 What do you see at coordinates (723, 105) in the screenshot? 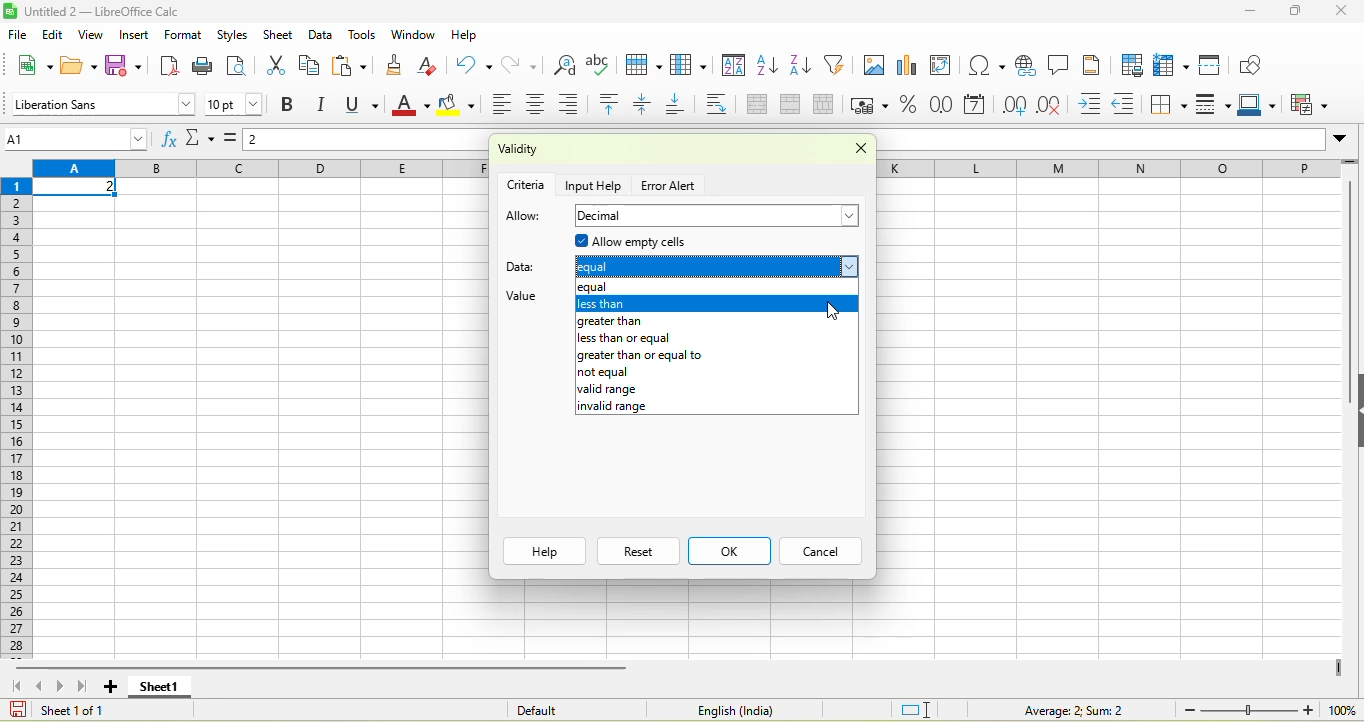
I see `wrap` at bounding box center [723, 105].